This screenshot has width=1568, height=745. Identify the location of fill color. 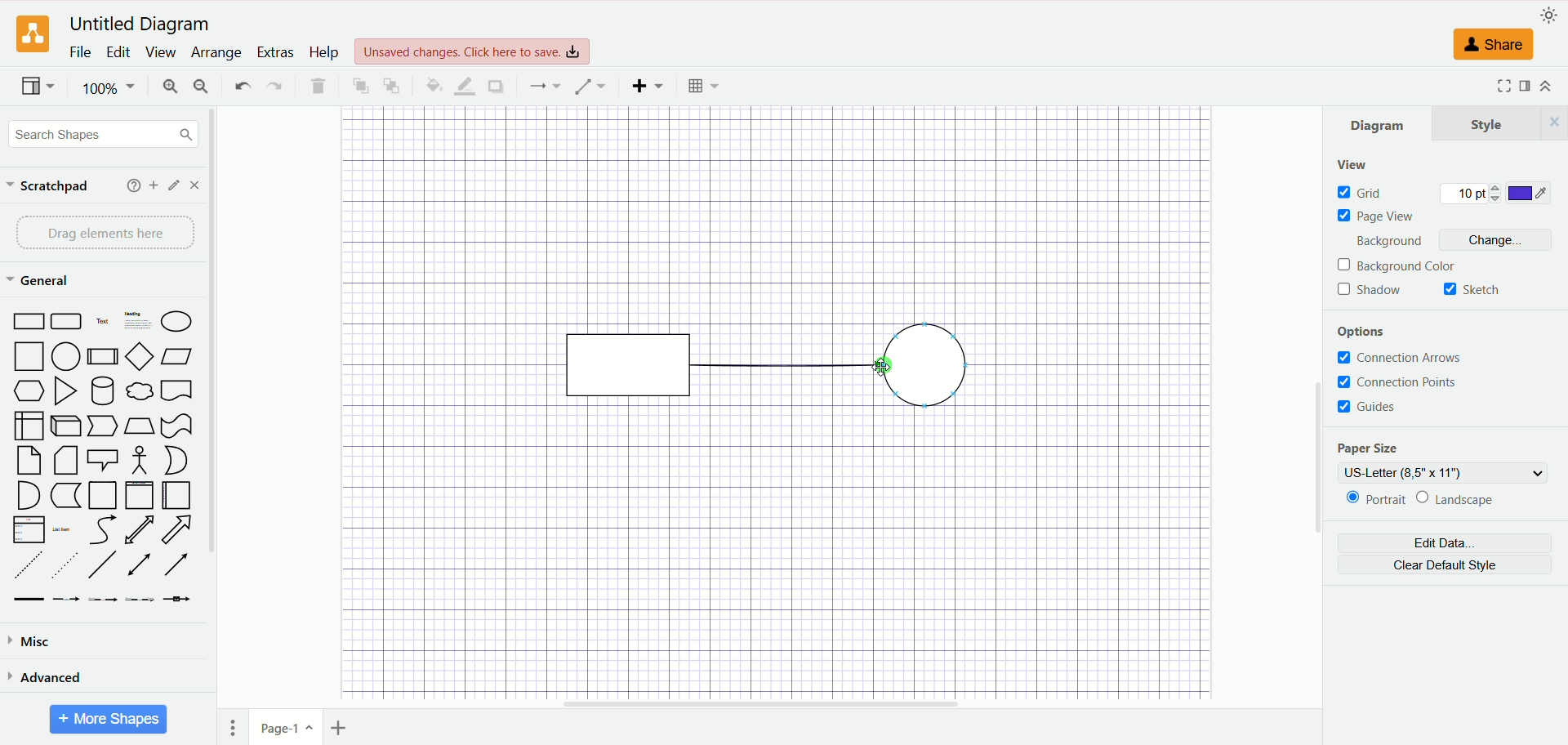
(431, 85).